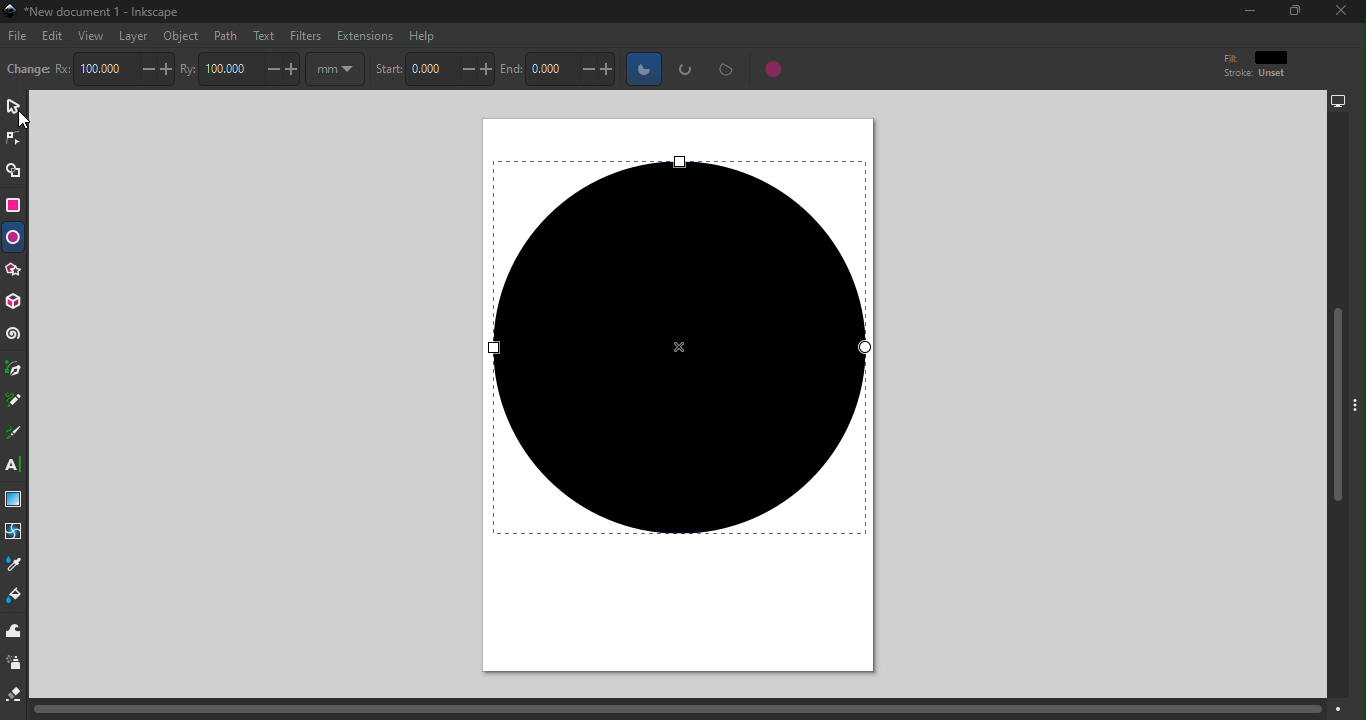 The height and width of the screenshot is (720, 1366). I want to click on Switch to slice (unclosed shape with two radii), so click(640, 69).